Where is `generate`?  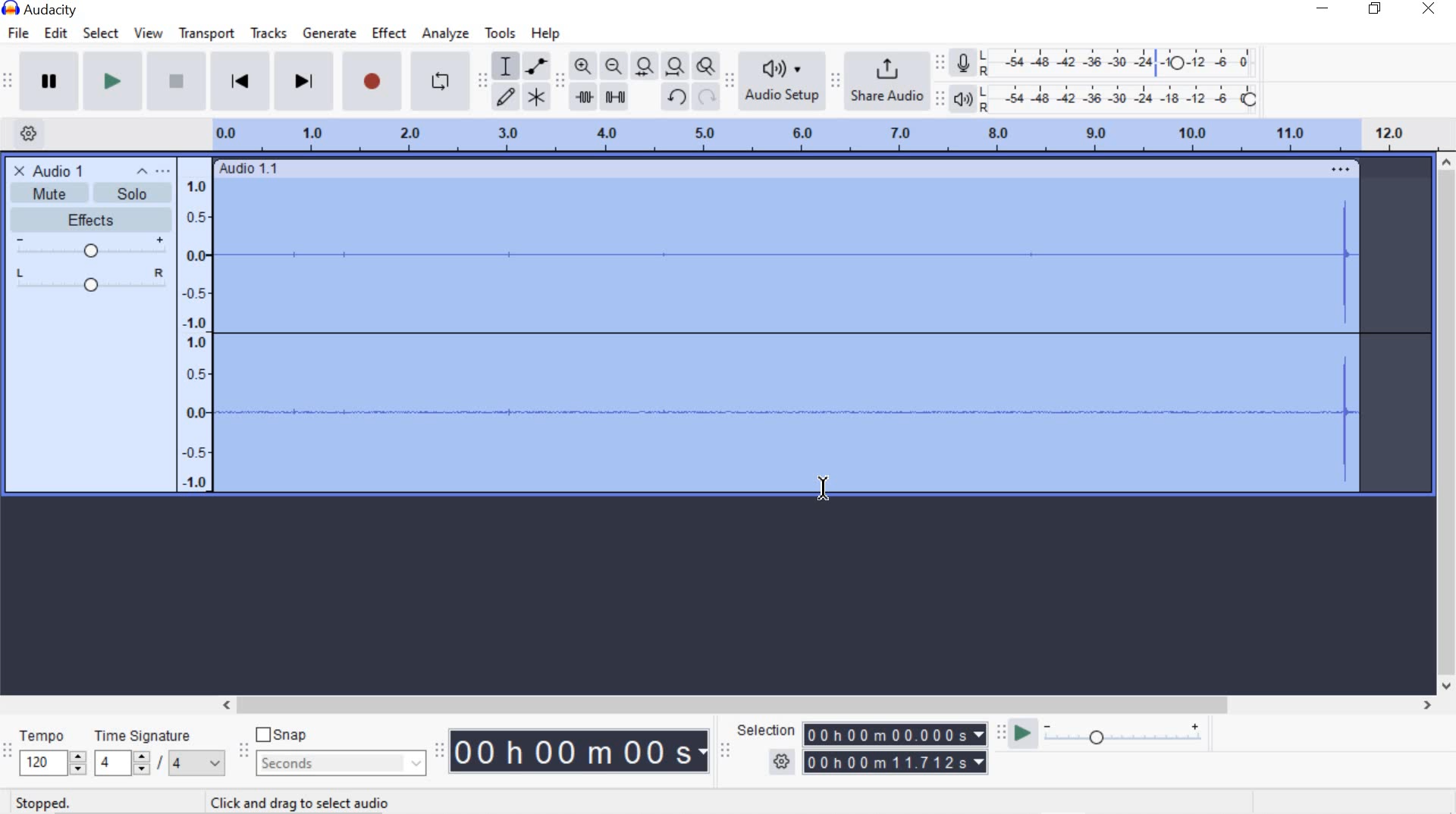 generate is located at coordinates (328, 34).